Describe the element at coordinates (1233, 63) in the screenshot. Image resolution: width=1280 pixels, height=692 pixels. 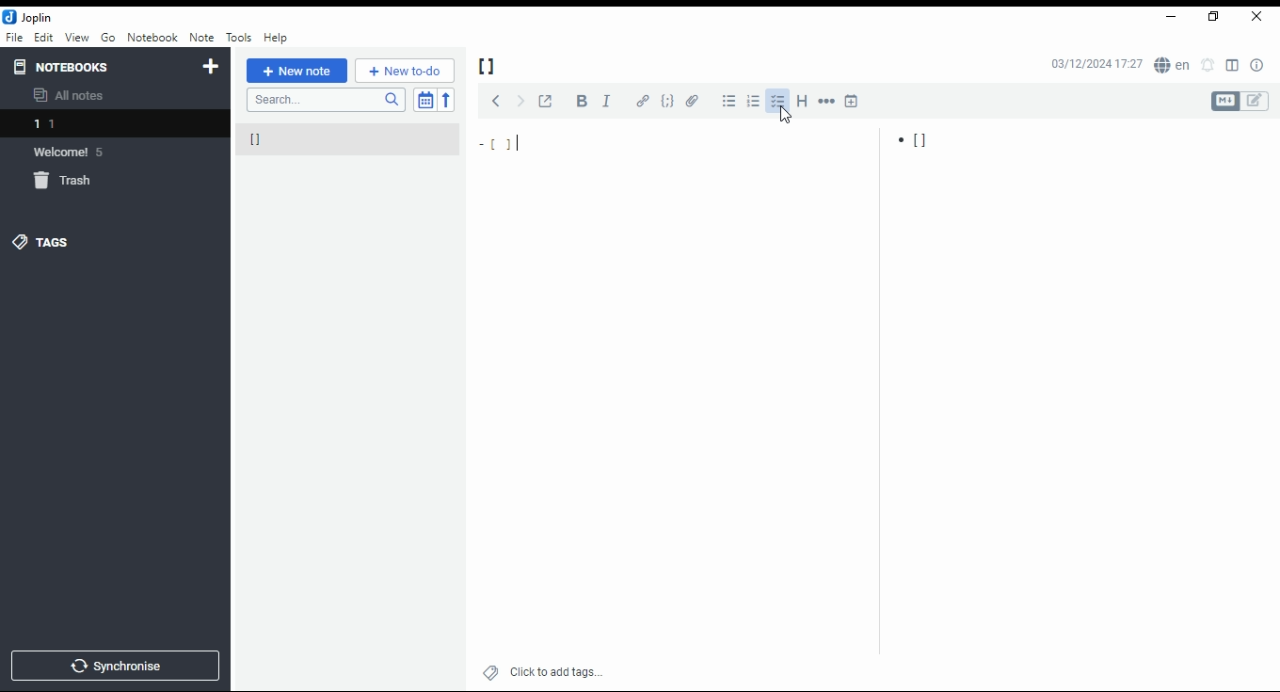
I see `toggle editor layout` at that location.